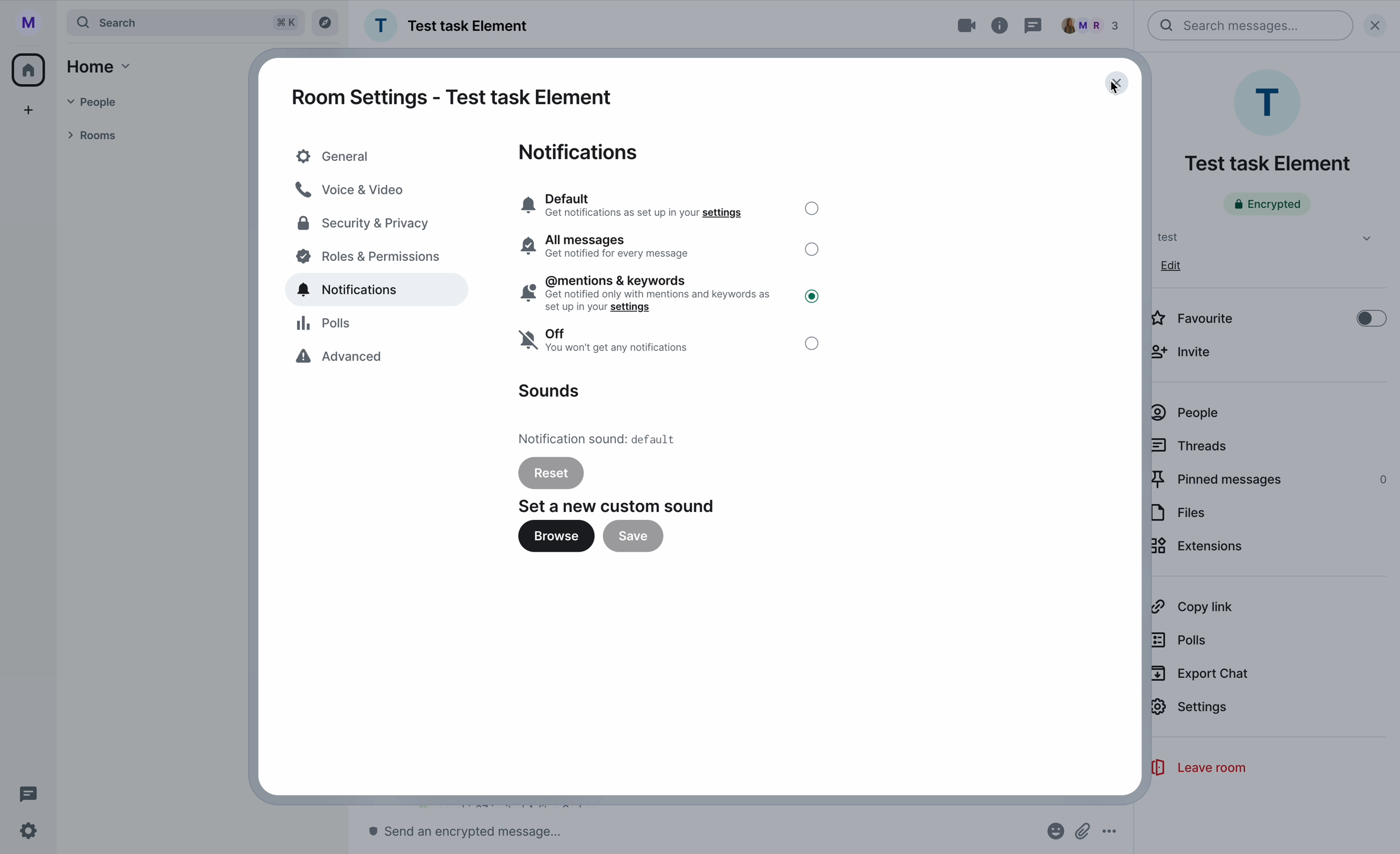 The width and height of the screenshot is (1400, 854). Describe the element at coordinates (669, 204) in the screenshot. I see `default activated` at that location.